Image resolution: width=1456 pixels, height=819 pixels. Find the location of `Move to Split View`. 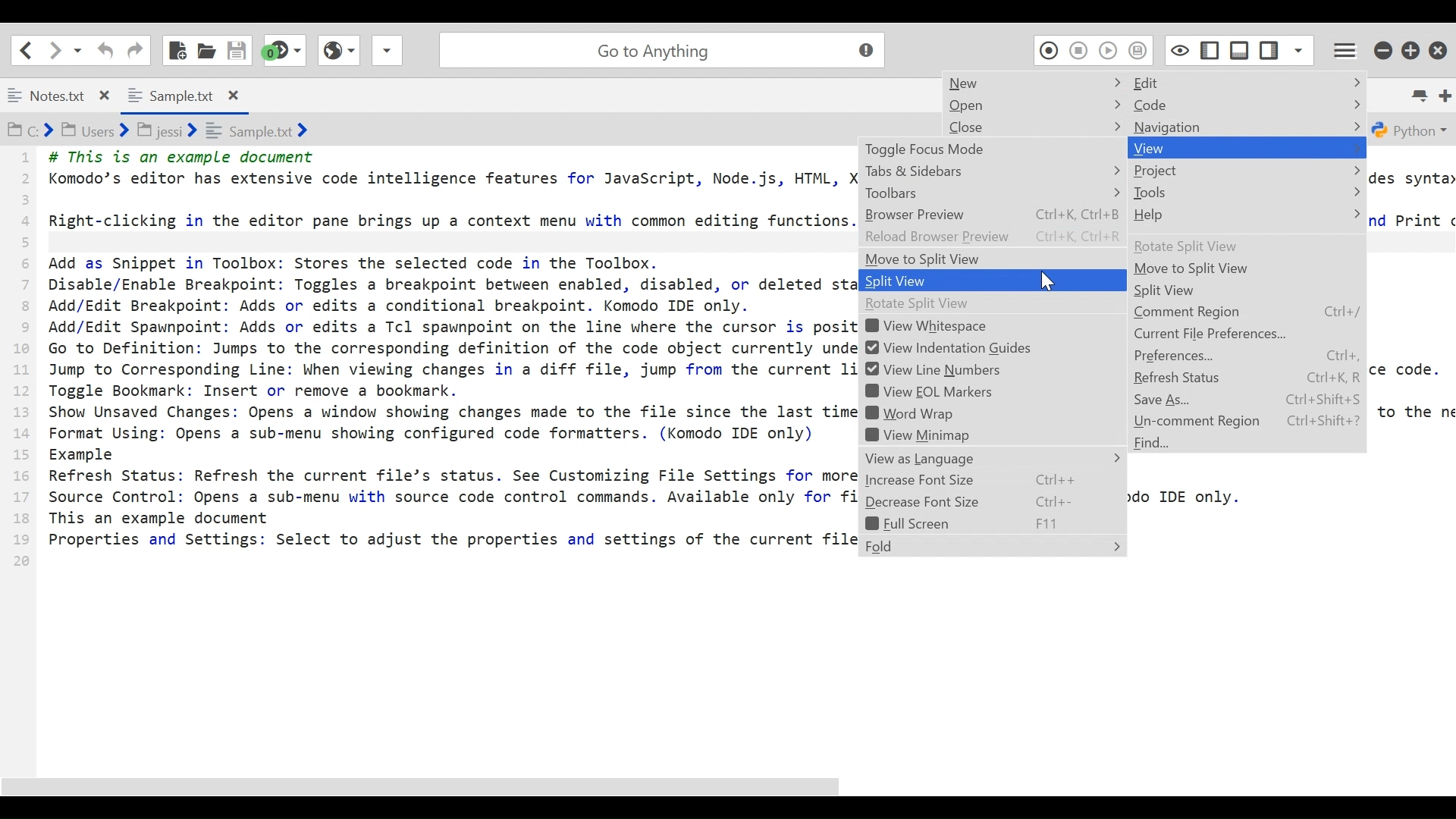

Move to Split View is located at coordinates (1246, 270).